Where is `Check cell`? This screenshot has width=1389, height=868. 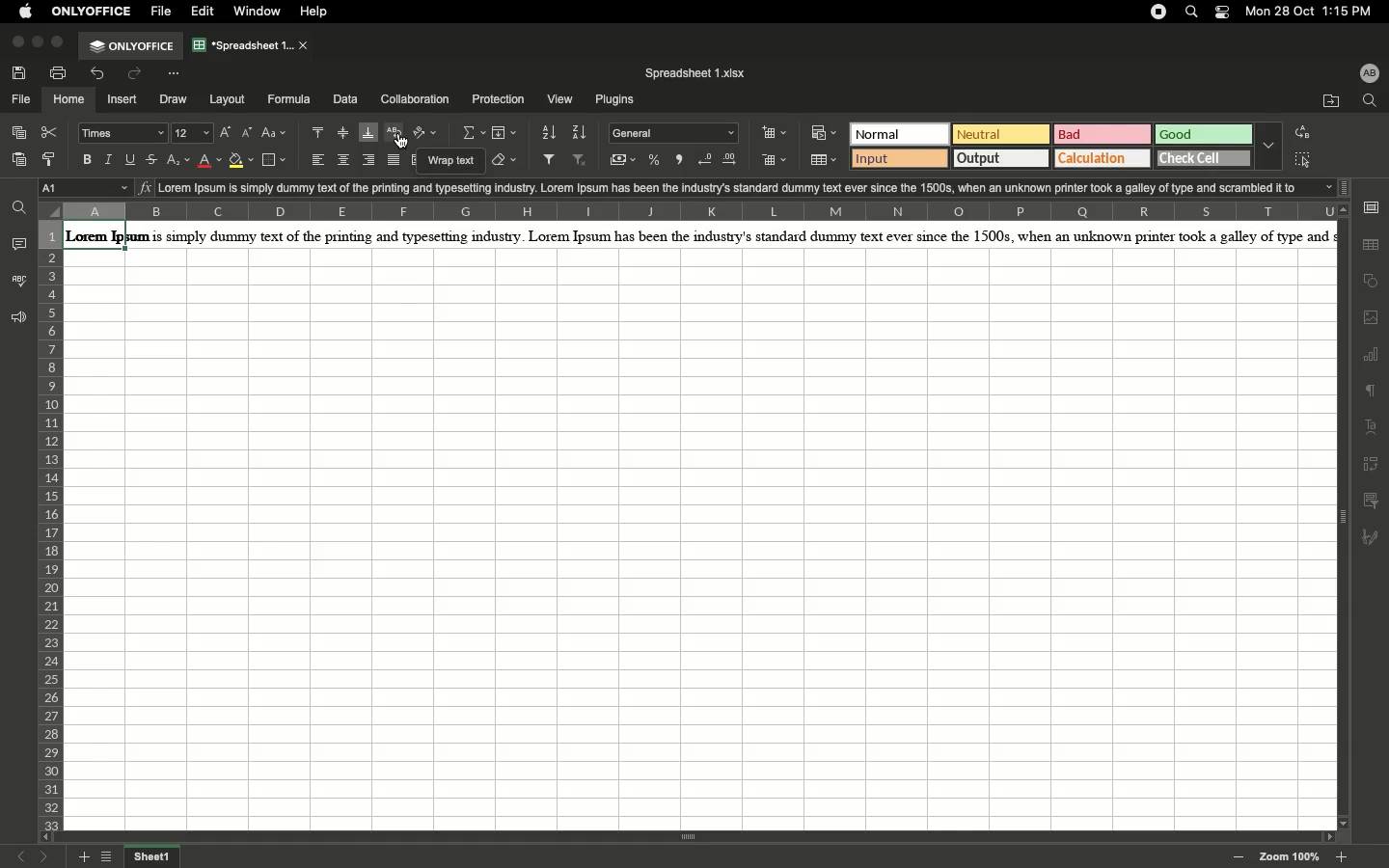 Check cell is located at coordinates (1205, 159).